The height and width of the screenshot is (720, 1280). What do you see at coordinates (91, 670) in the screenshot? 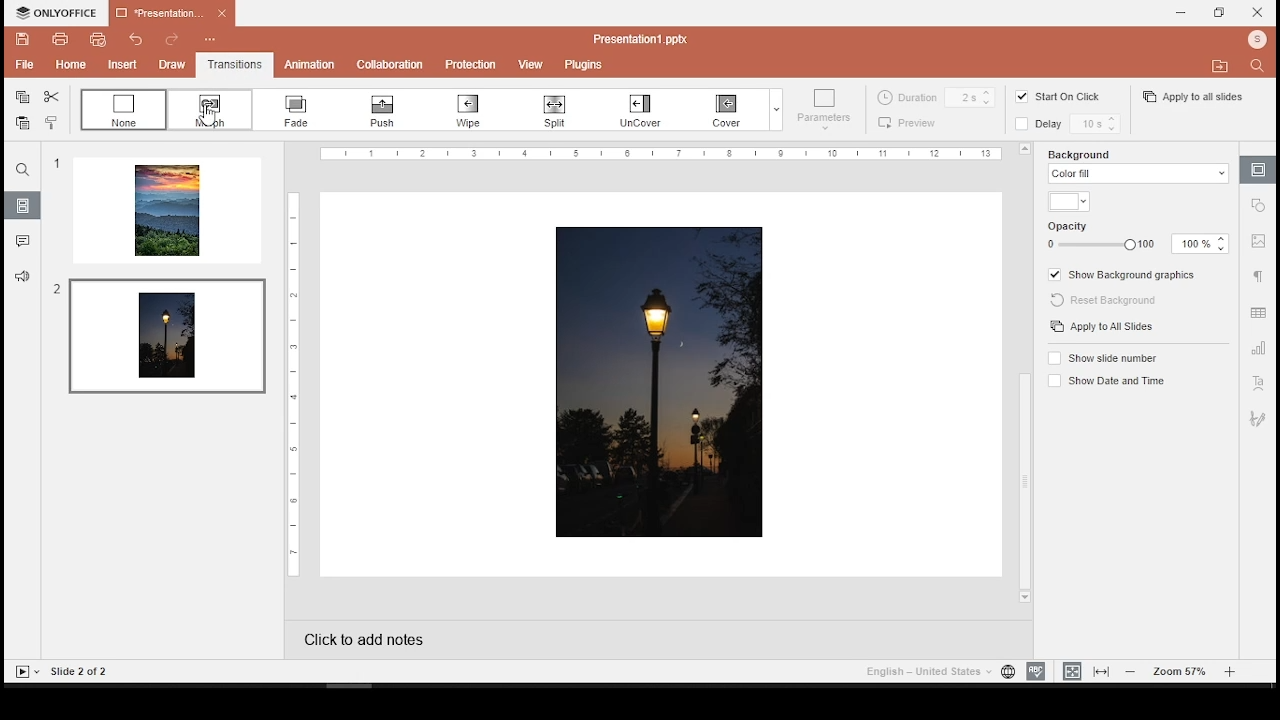
I see `Slide 1 0 2` at bounding box center [91, 670].